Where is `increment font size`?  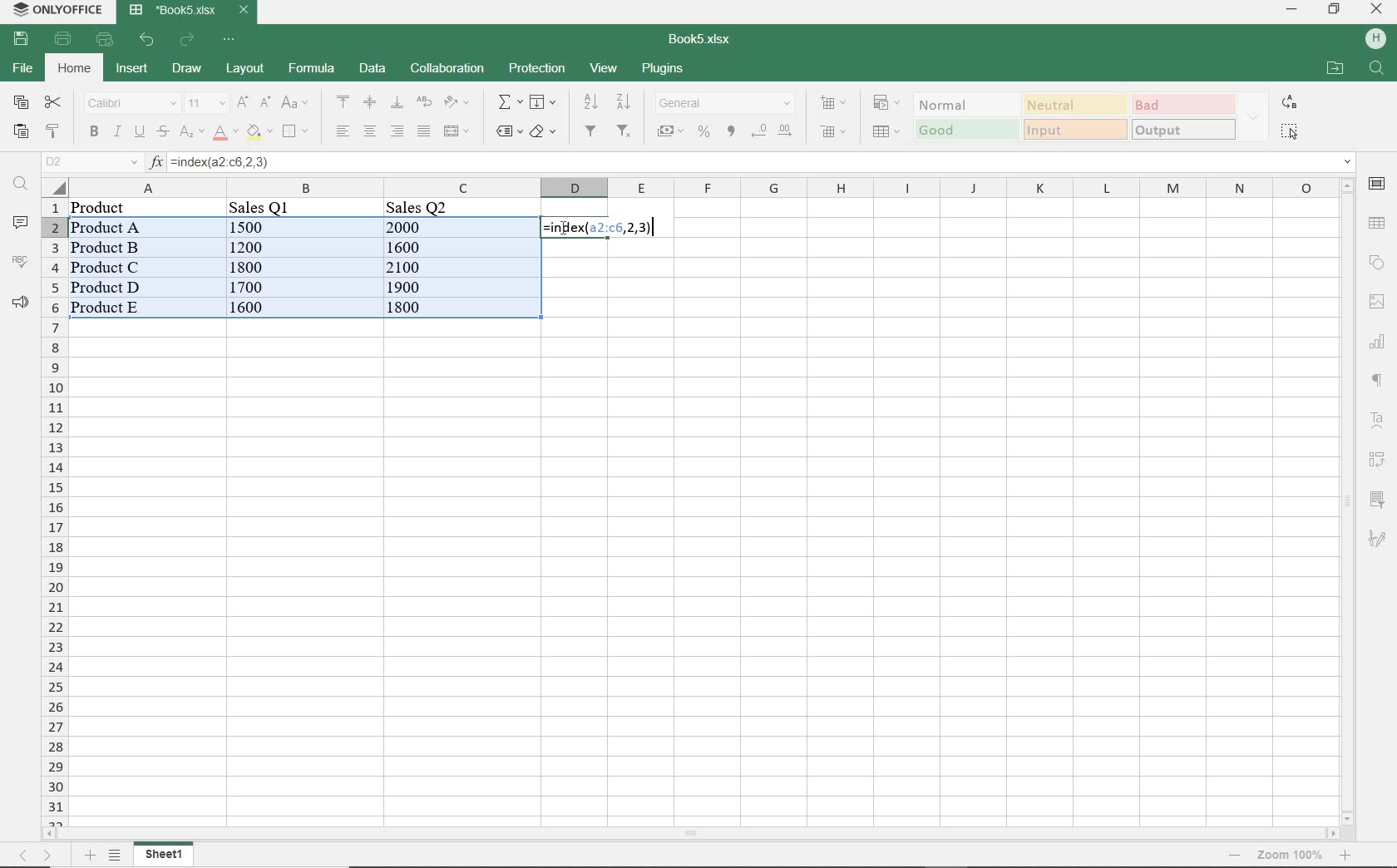
increment font size is located at coordinates (241, 102).